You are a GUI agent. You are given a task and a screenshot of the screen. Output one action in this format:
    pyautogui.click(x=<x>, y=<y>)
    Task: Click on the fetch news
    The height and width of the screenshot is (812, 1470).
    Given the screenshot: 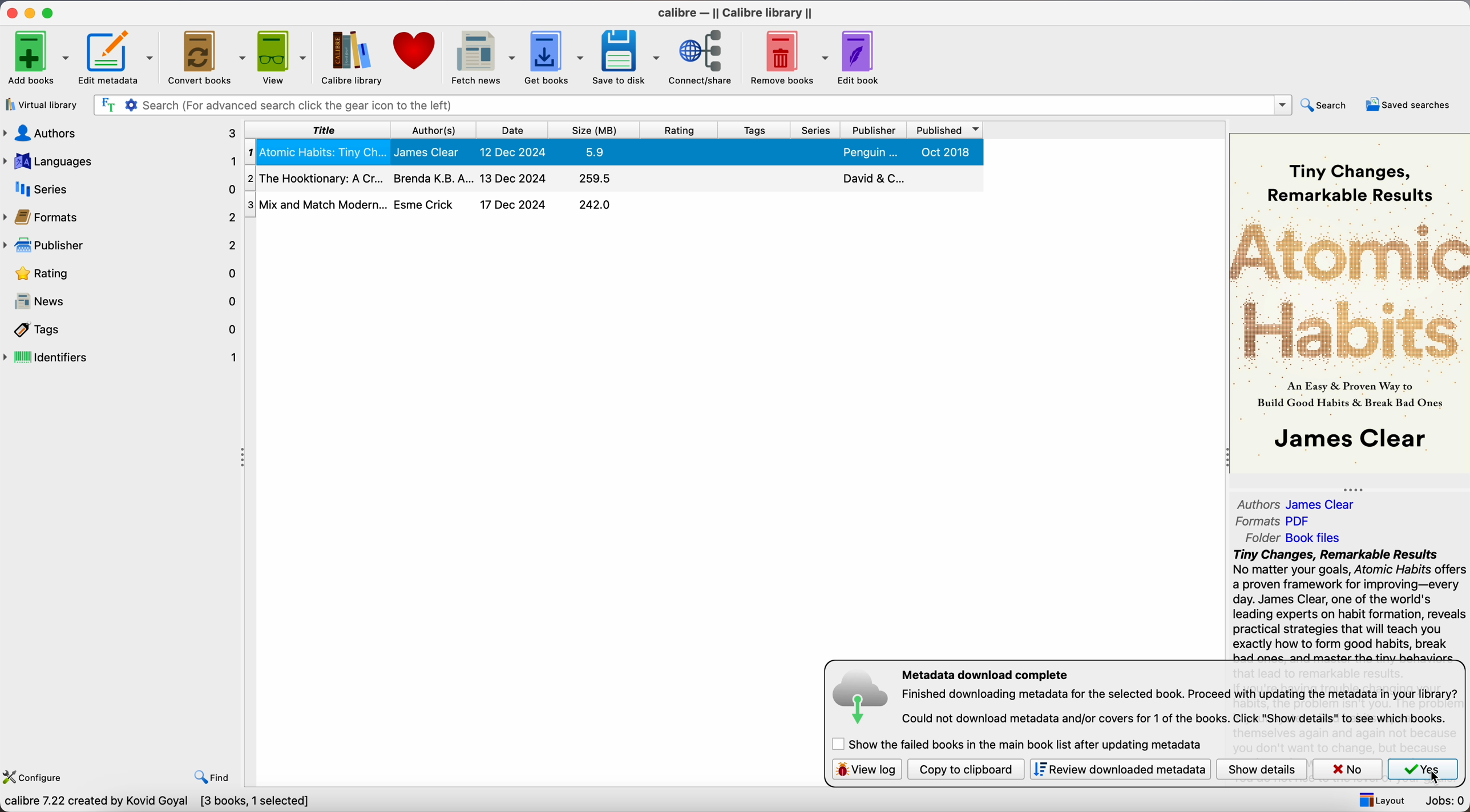 What is the action you would take?
    pyautogui.click(x=482, y=58)
    